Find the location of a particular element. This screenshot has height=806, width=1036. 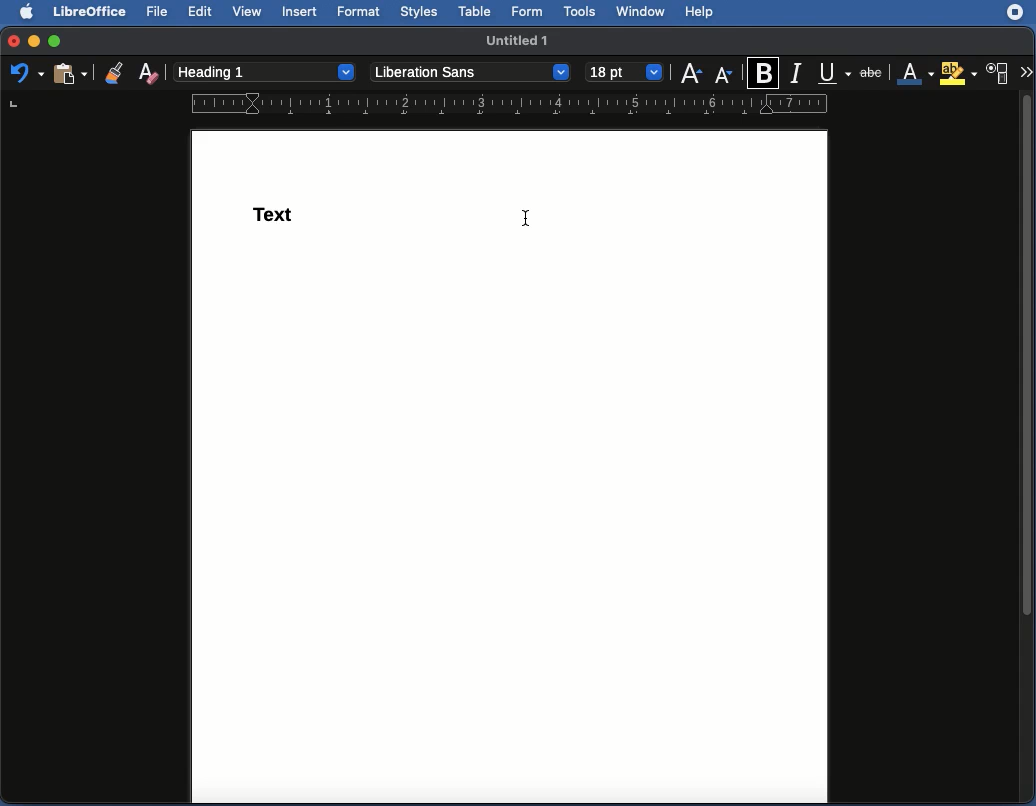

Paragraph style is located at coordinates (267, 72).